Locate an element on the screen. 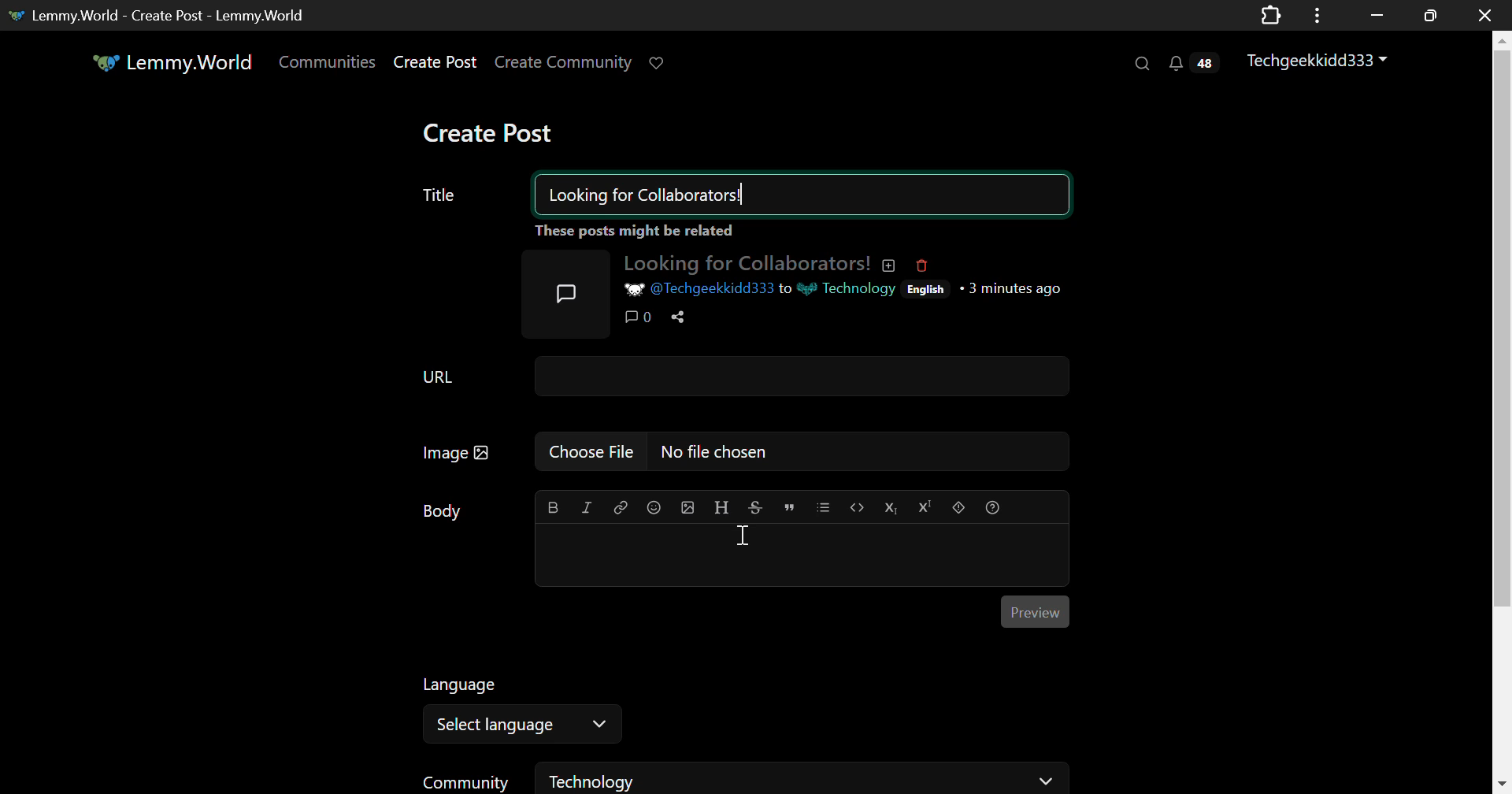 This screenshot has height=794, width=1512. Lemmy.World is located at coordinates (169, 63).